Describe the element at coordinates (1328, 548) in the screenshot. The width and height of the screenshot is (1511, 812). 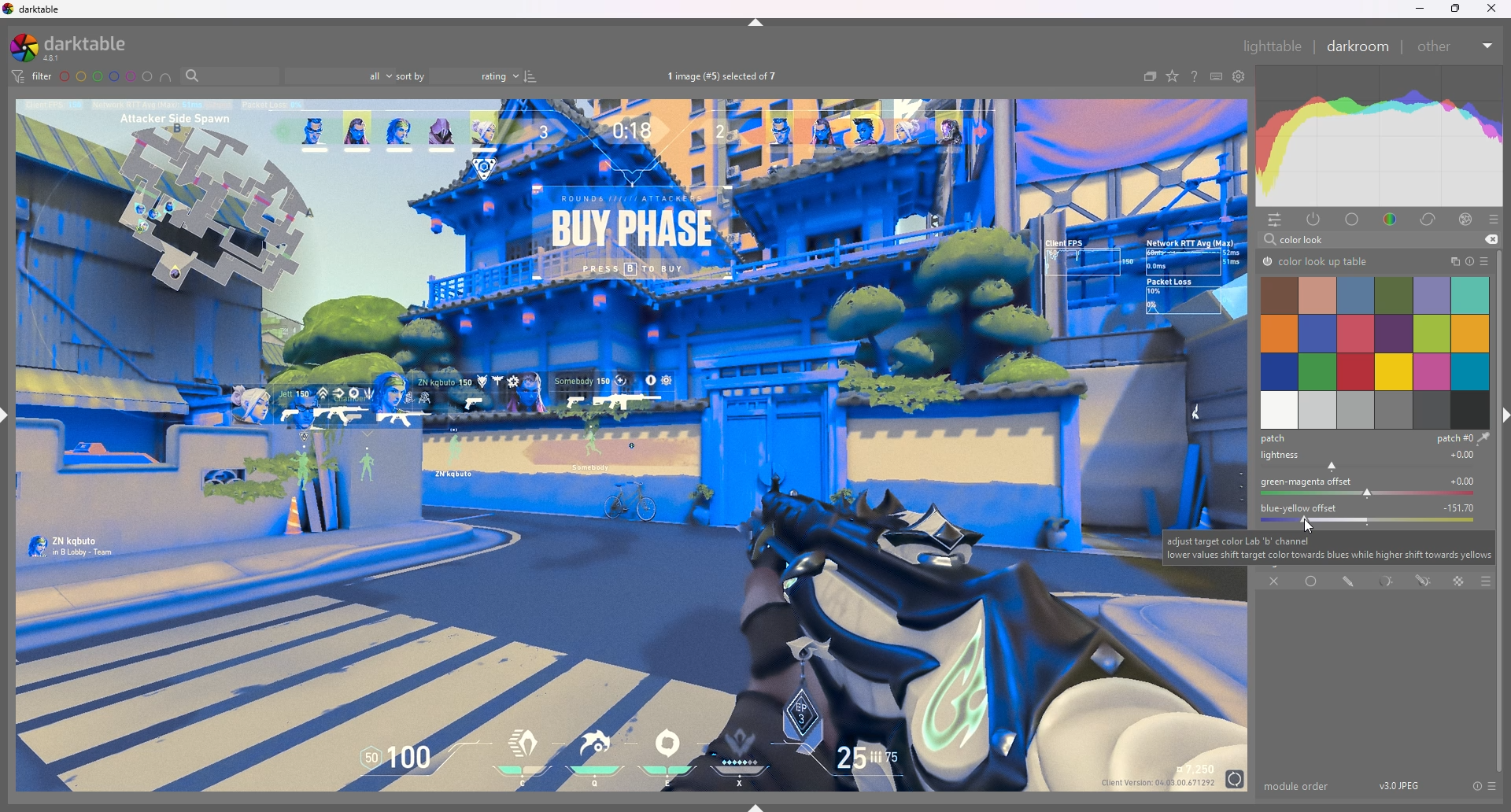
I see `cursor description` at that location.